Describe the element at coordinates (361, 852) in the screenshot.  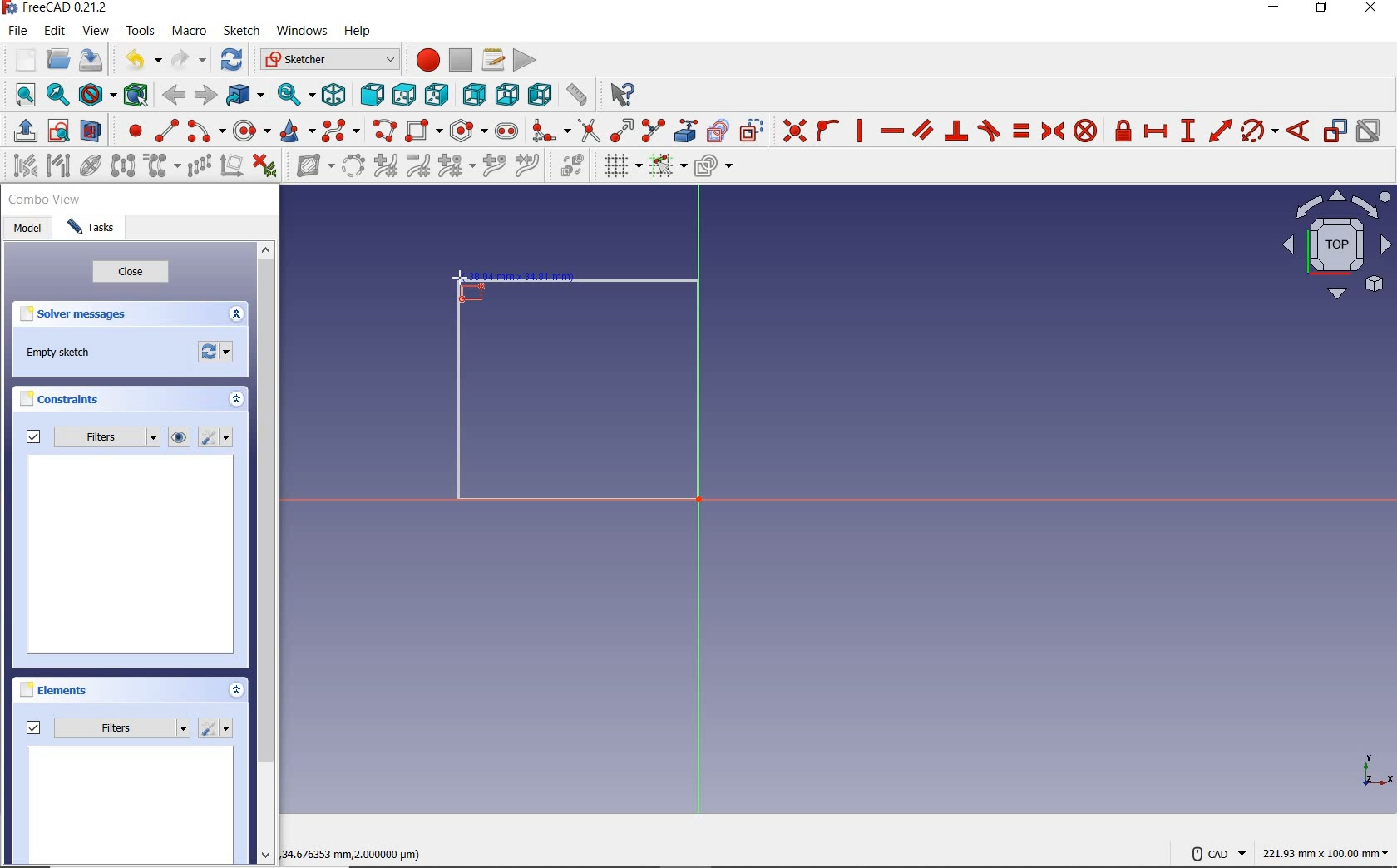
I see `dimensions` at that location.